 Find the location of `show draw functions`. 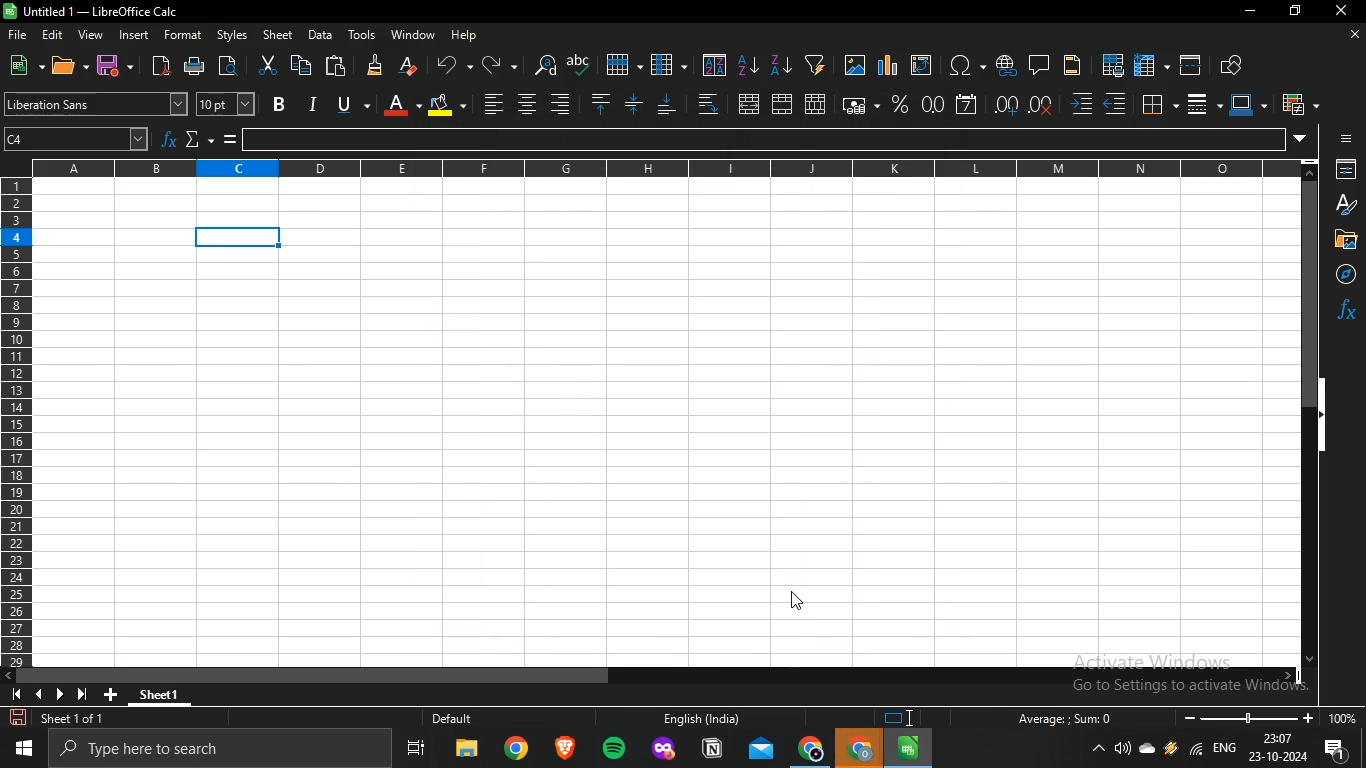

show draw functions is located at coordinates (1233, 63).